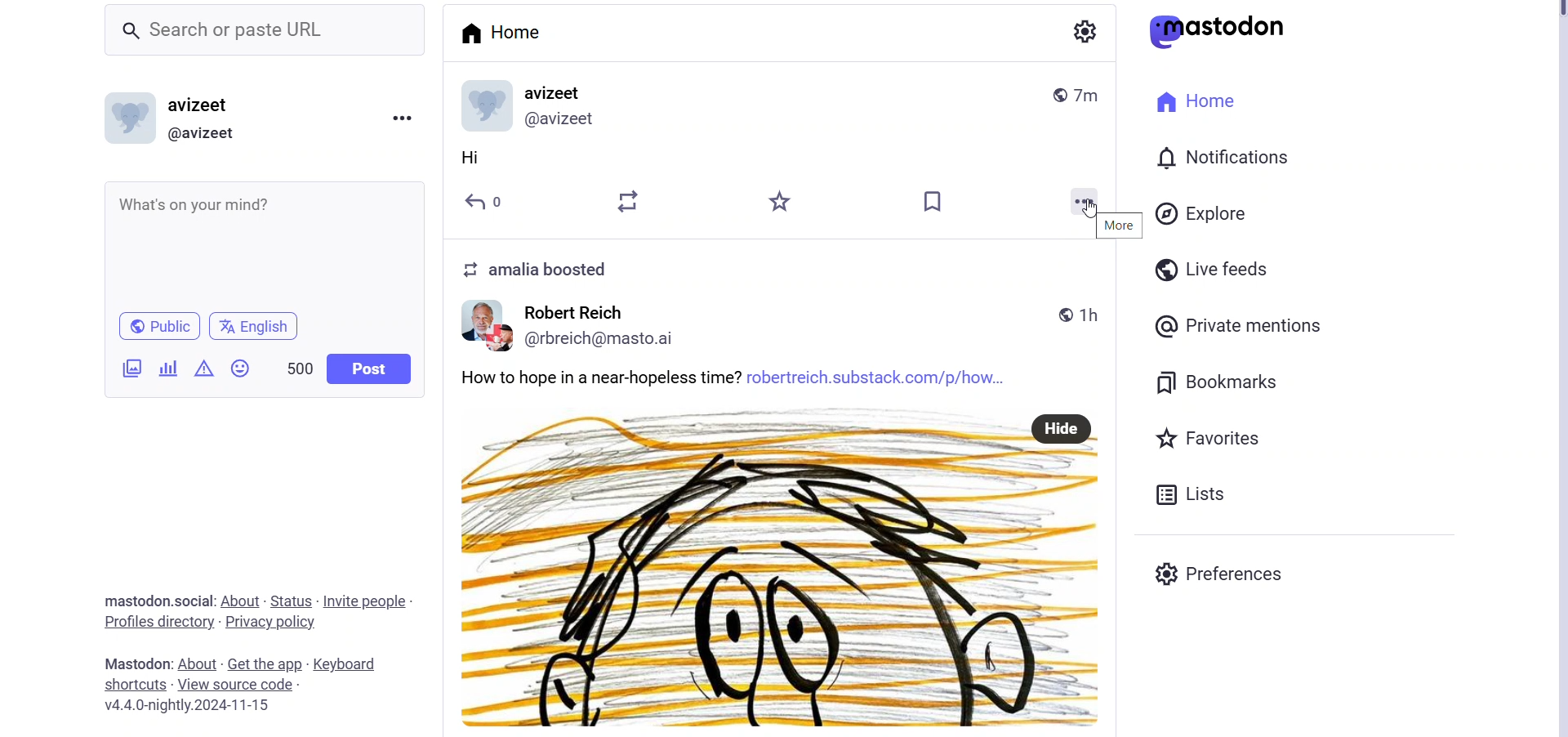 The image size is (1568, 737). Describe the element at coordinates (492, 202) in the screenshot. I see `Reply` at that location.